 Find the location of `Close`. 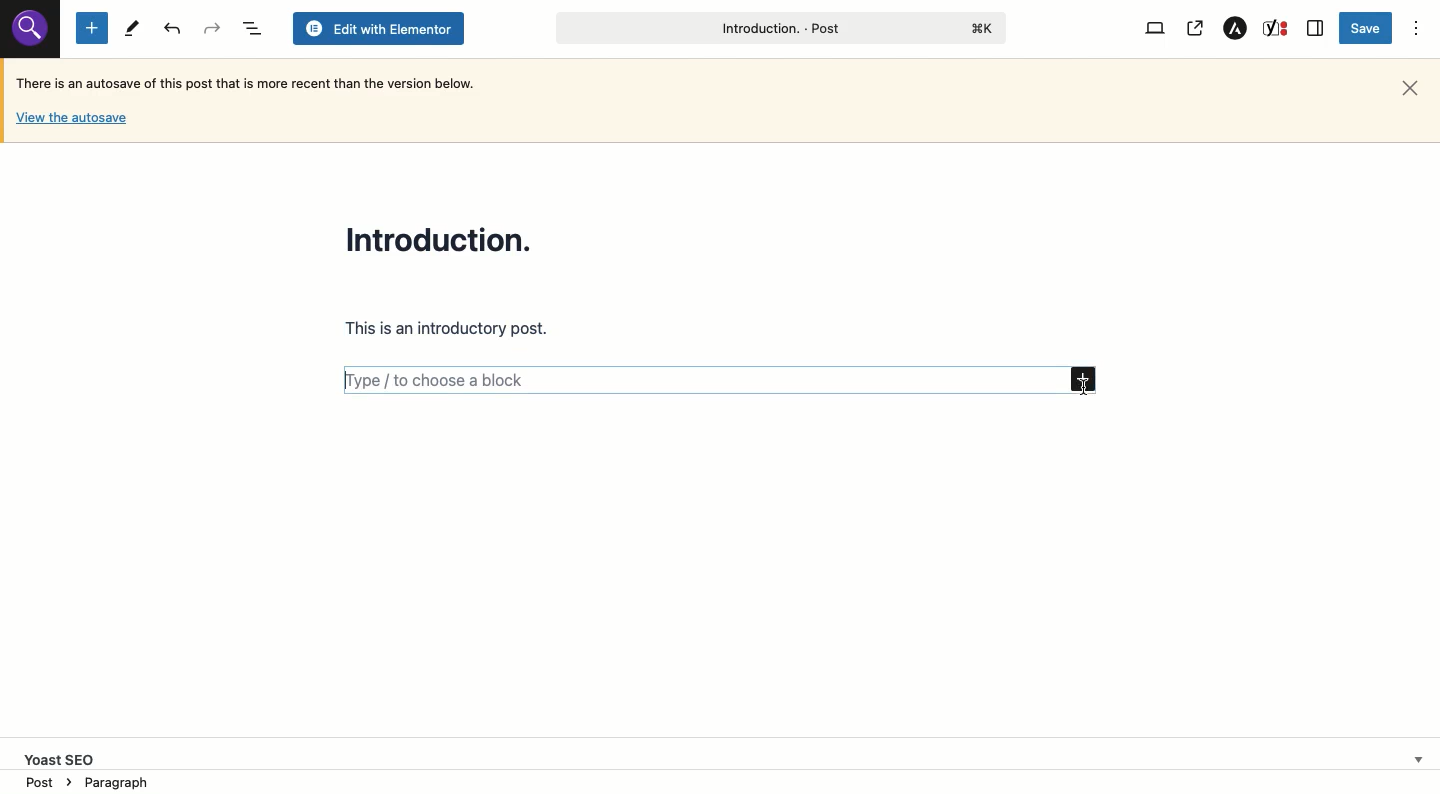

Close is located at coordinates (1410, 89).